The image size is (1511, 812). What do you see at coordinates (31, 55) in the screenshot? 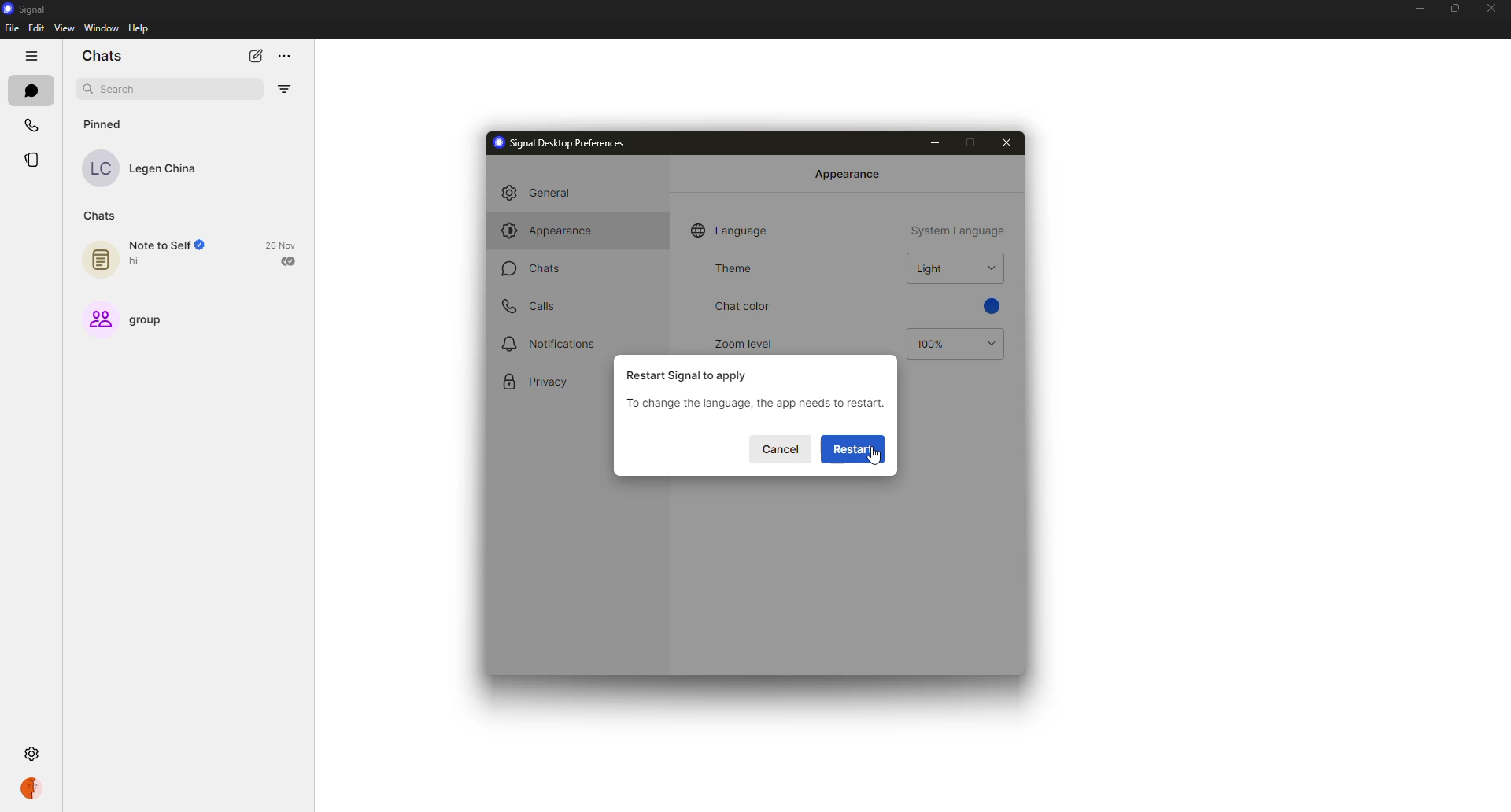
I see `hide tabs` at bounding box center [31, 55].